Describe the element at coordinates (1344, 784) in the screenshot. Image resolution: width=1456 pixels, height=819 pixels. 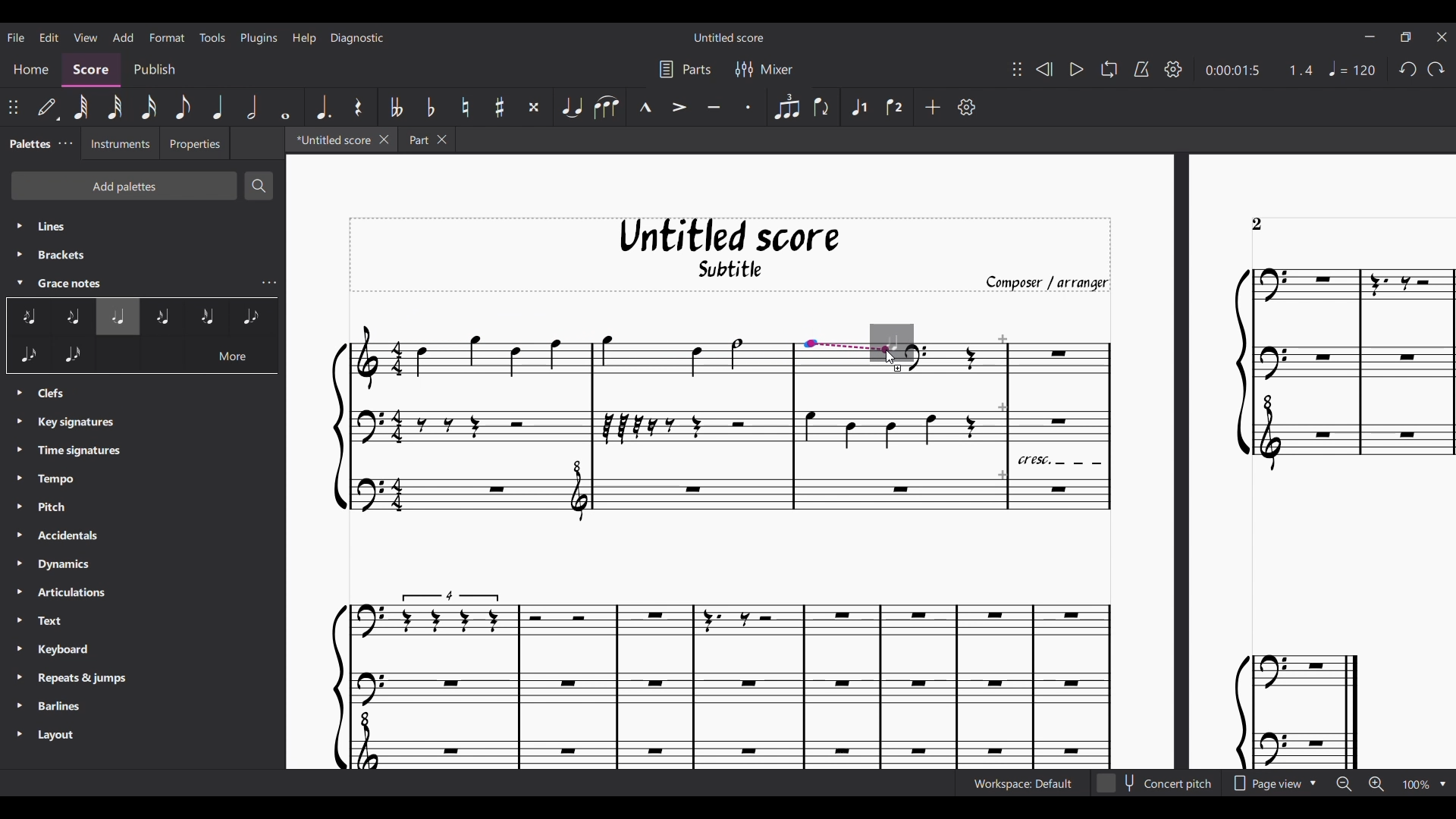
I see `Zoom out` at that location.